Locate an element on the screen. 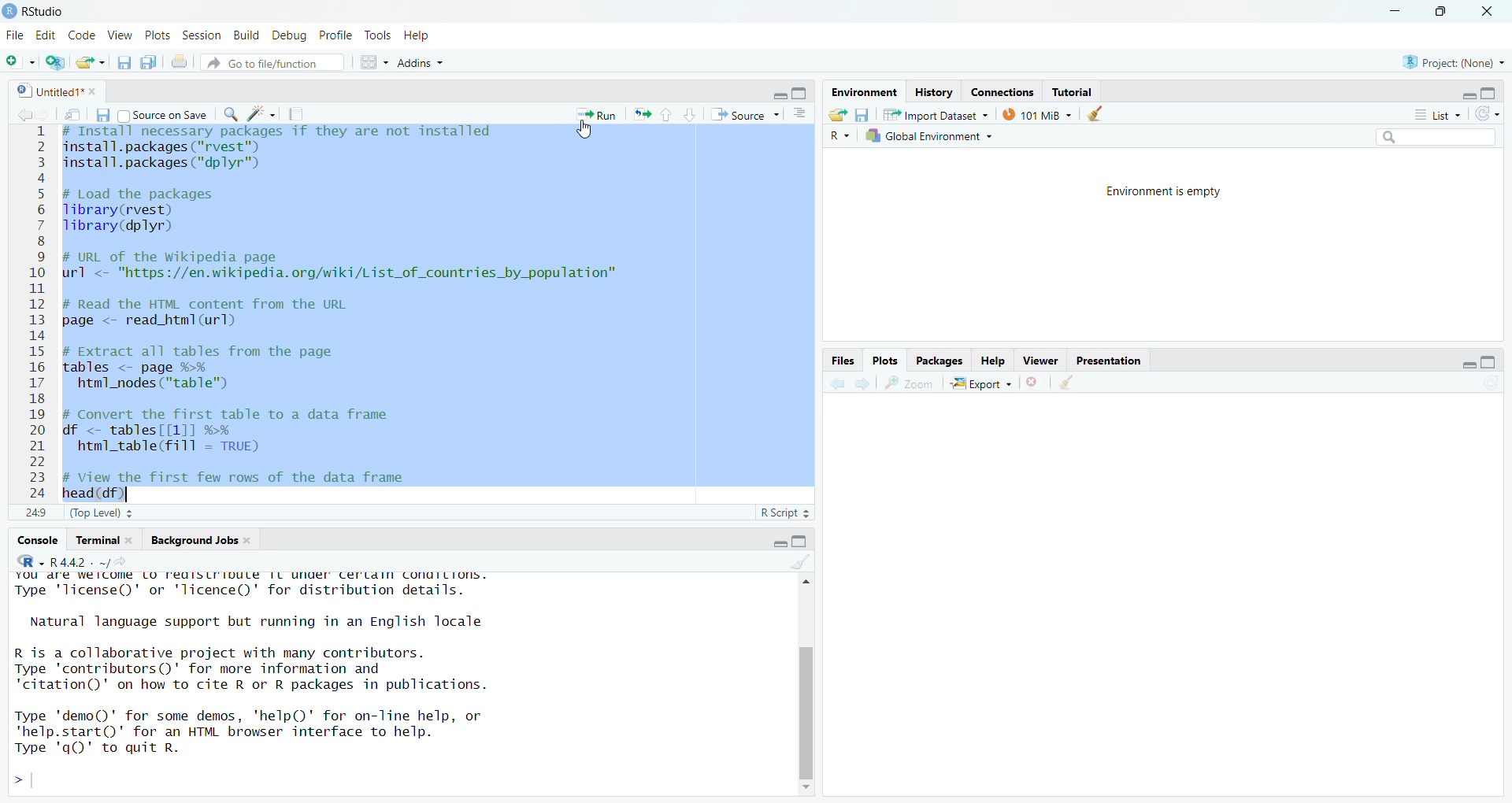 This screenshot has height=803, width=1512. up is located at coordinates (668, 115).